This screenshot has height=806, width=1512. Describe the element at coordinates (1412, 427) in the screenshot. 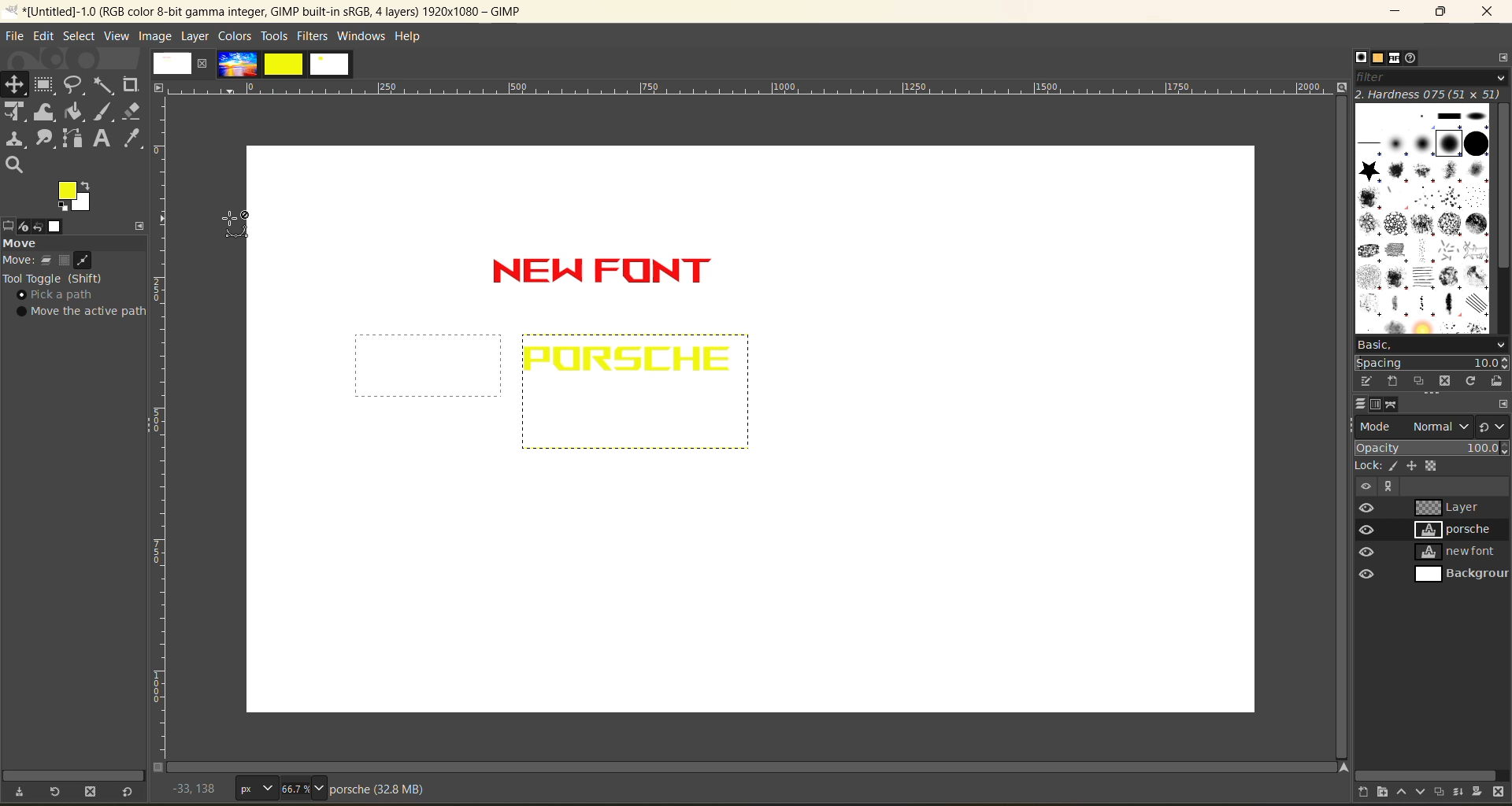

I see `mode` at that location.